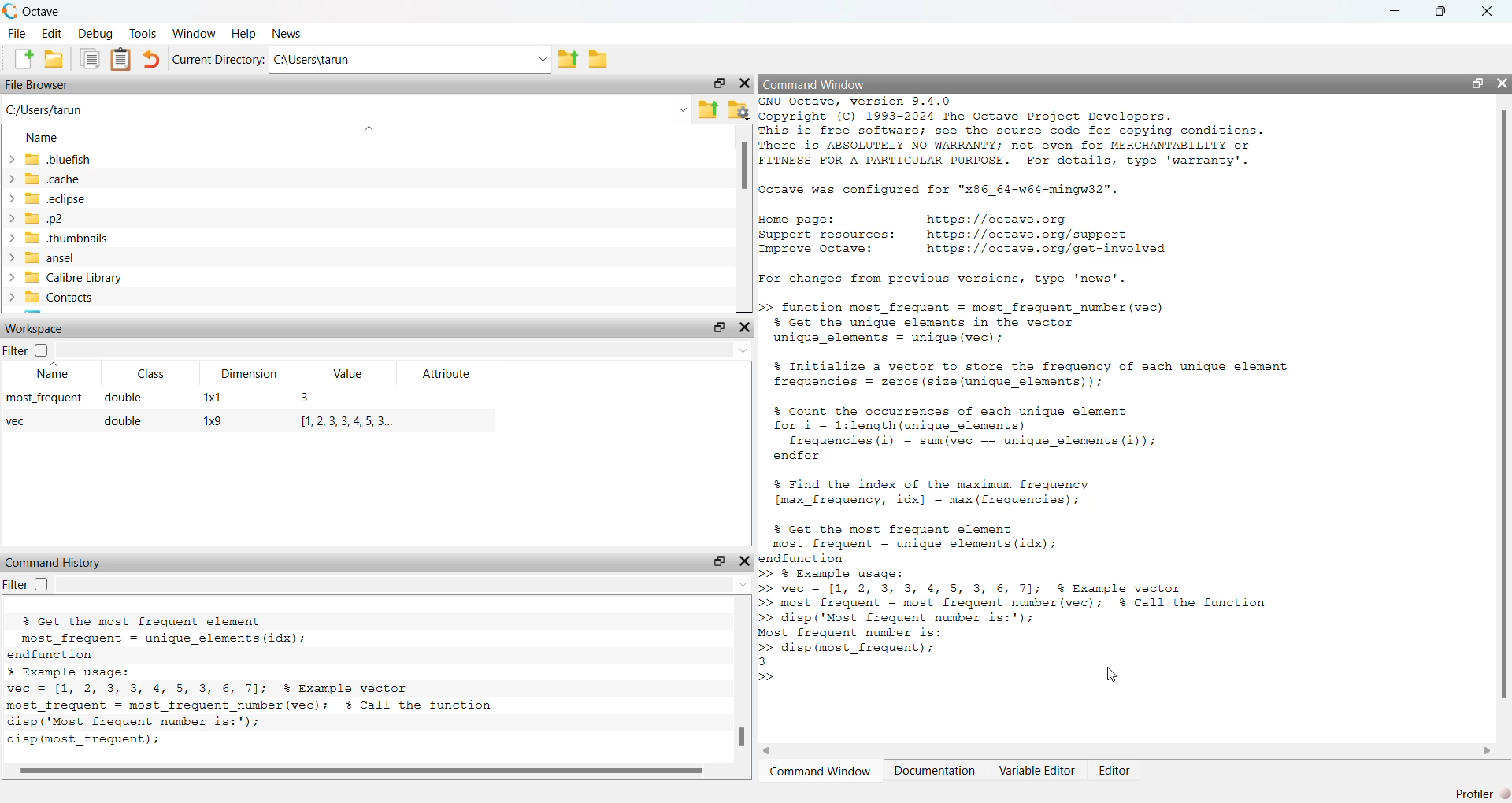  I want to click on Browse your files, so click(739, 109).